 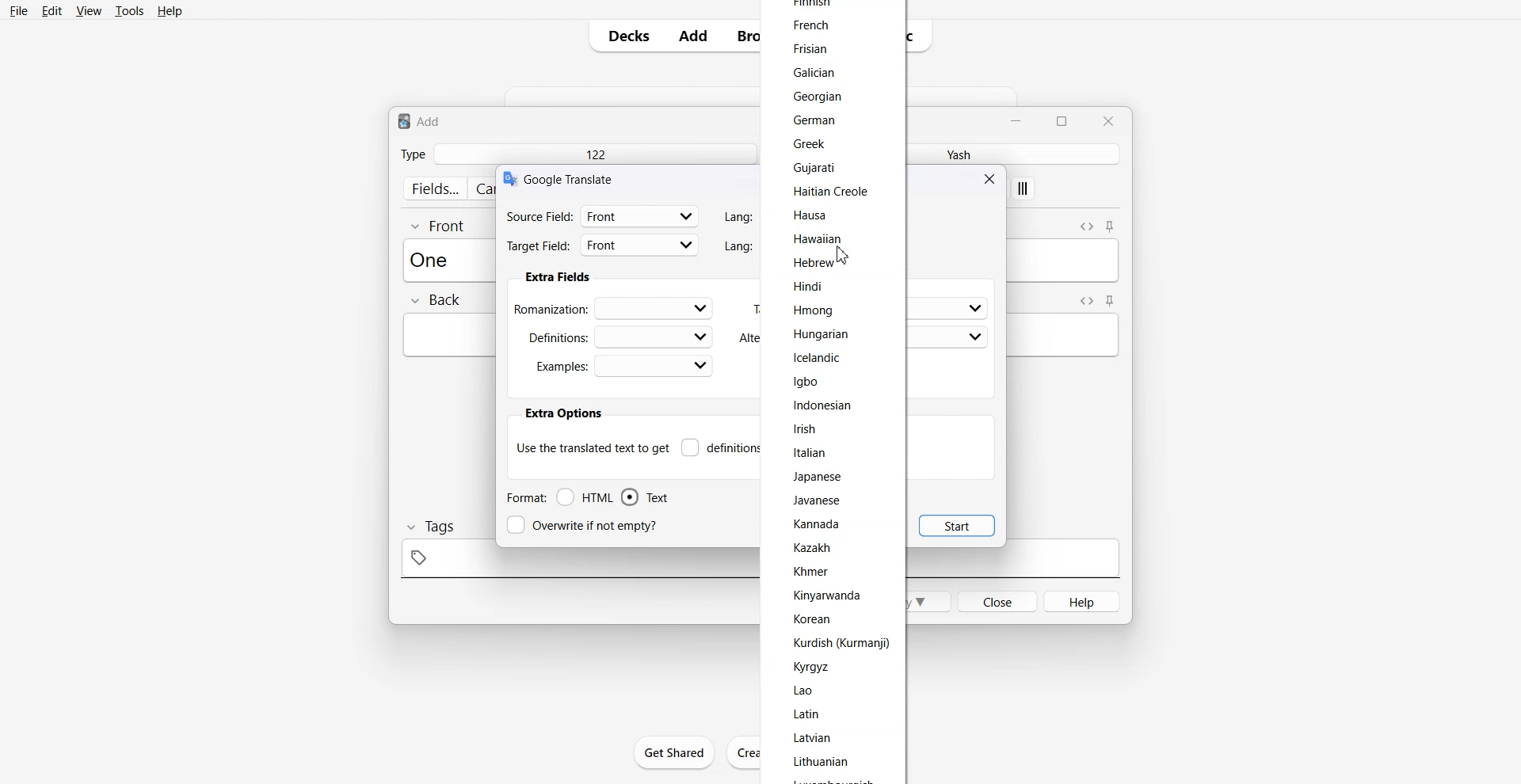 I want to click on Toggle sticky, so click(x=1111, y=301).